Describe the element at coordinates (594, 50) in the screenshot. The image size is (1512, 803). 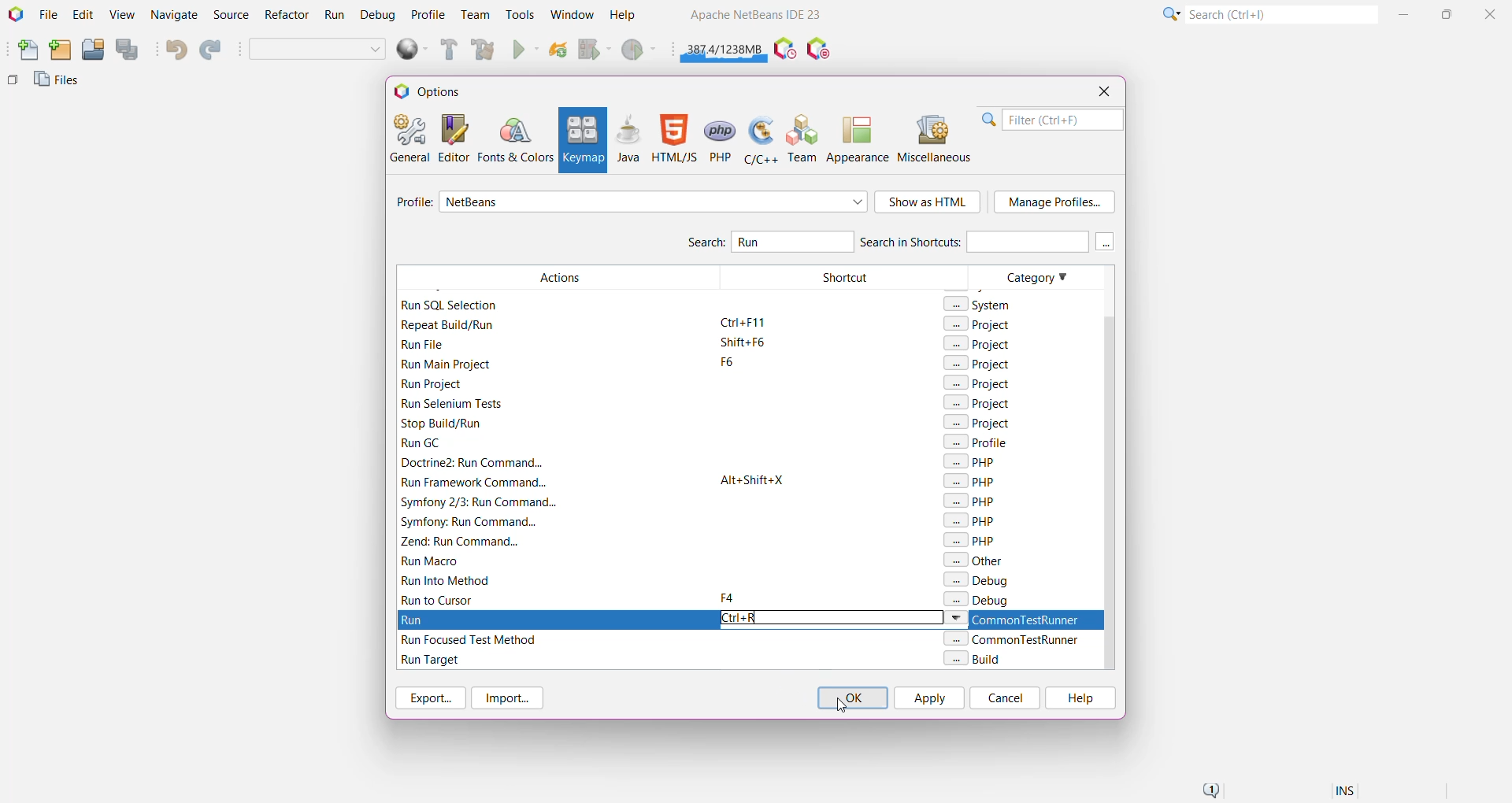
I see `Debug Main Project` at that location.